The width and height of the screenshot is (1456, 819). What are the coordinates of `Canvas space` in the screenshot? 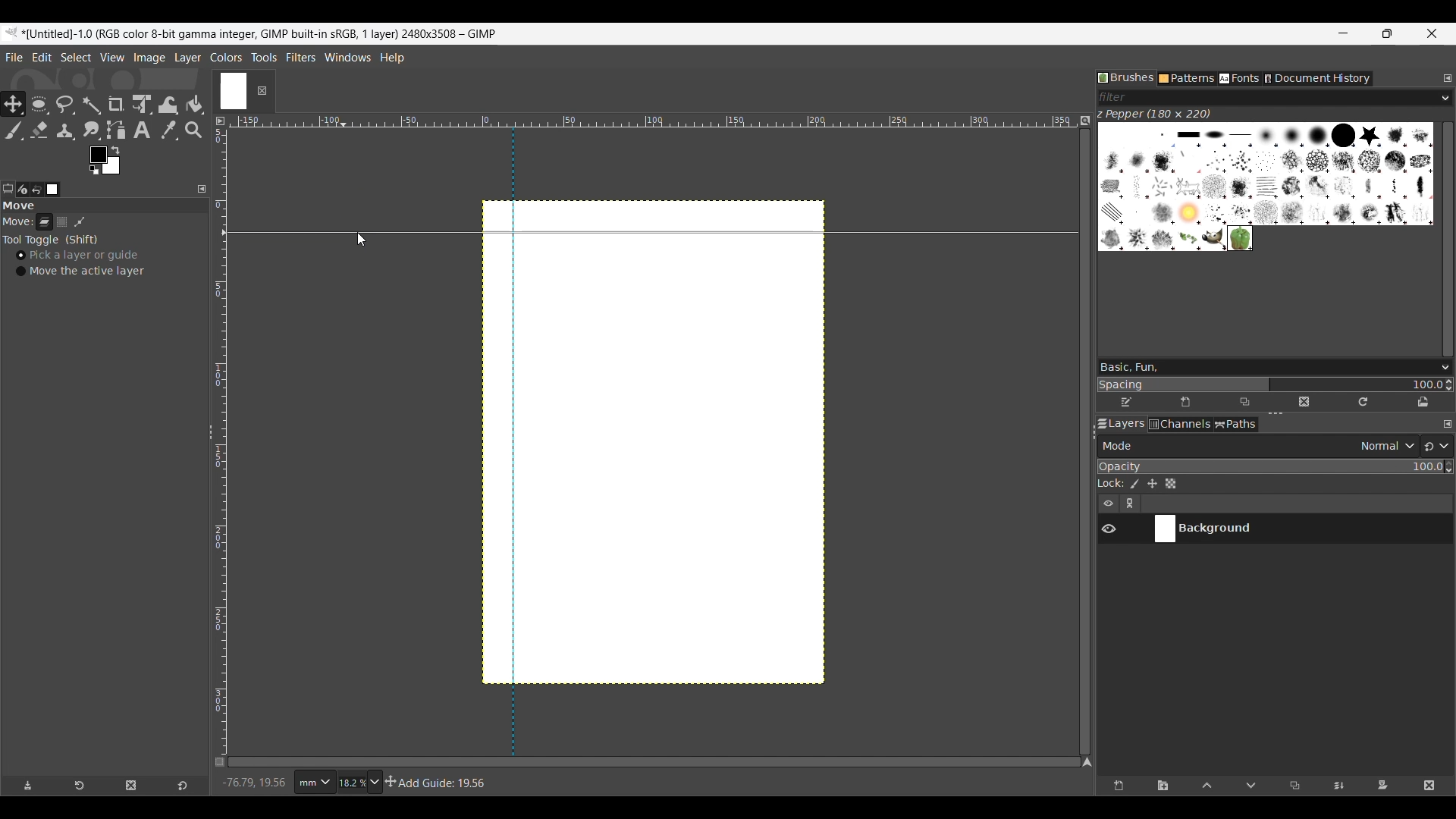 It's located at (760, 441).